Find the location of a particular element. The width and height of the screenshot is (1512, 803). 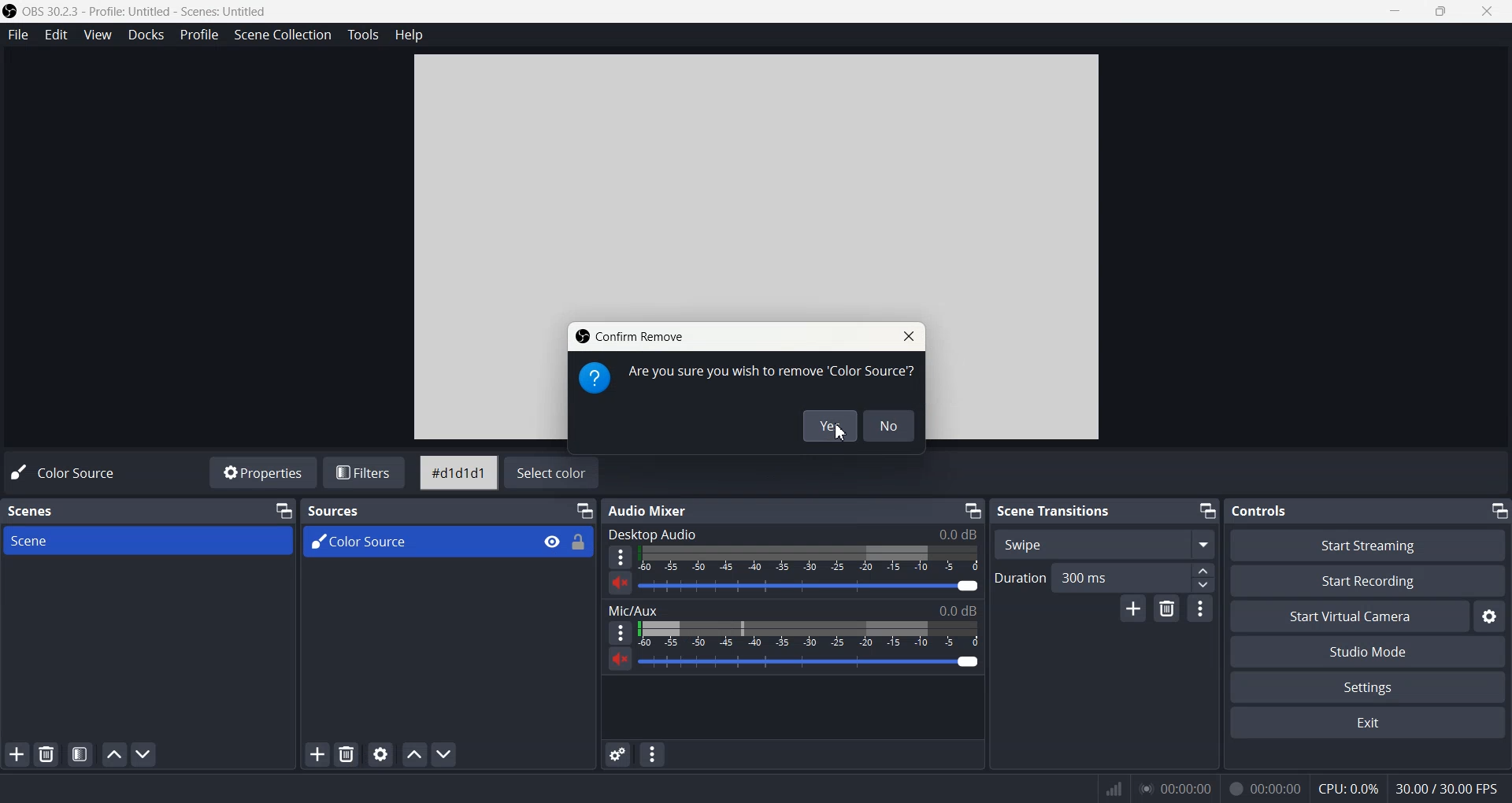

Close is located at coordinates (910, 336).